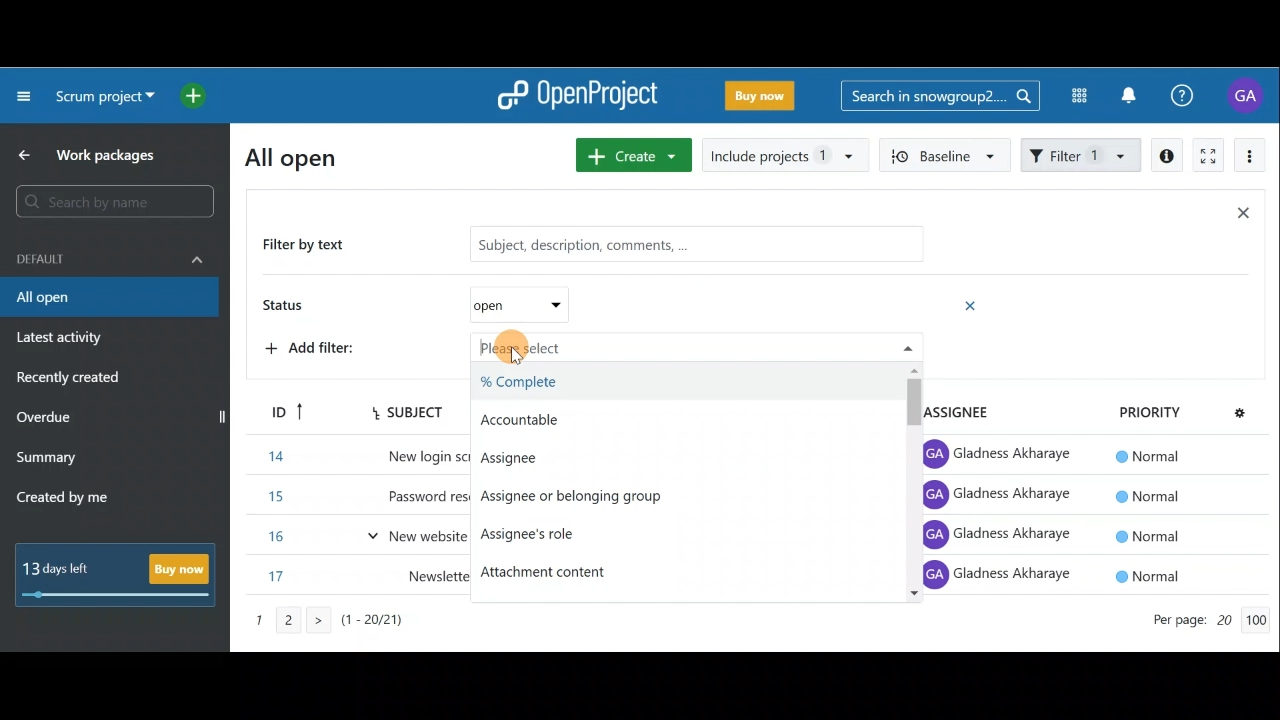 The image size is (1280, 720). Describe the element at coordinates (959, 413) in the screenshot. I see `Assignee` at that location.